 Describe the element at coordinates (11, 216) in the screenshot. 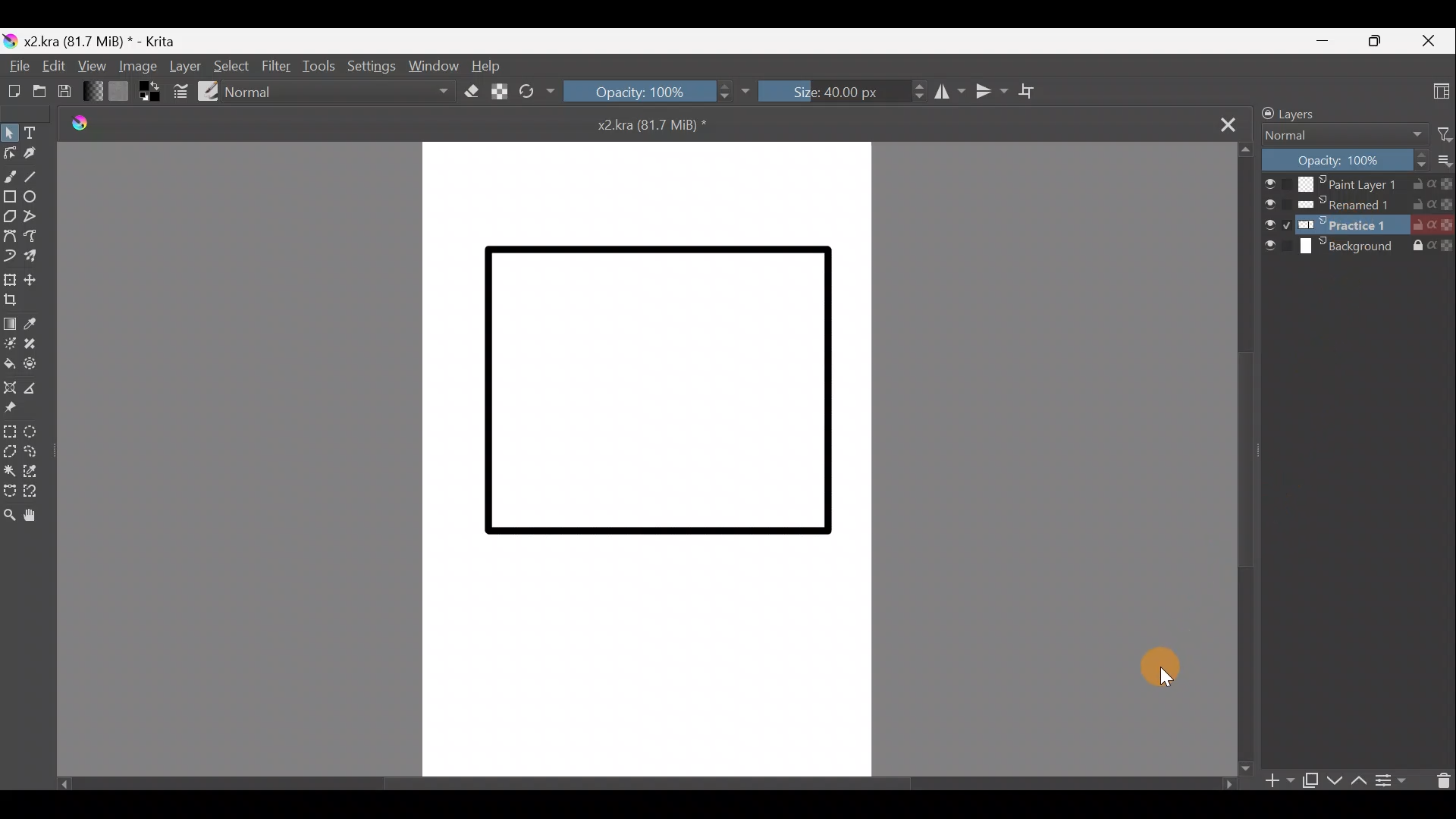

I see `Polygon tool` at that location.